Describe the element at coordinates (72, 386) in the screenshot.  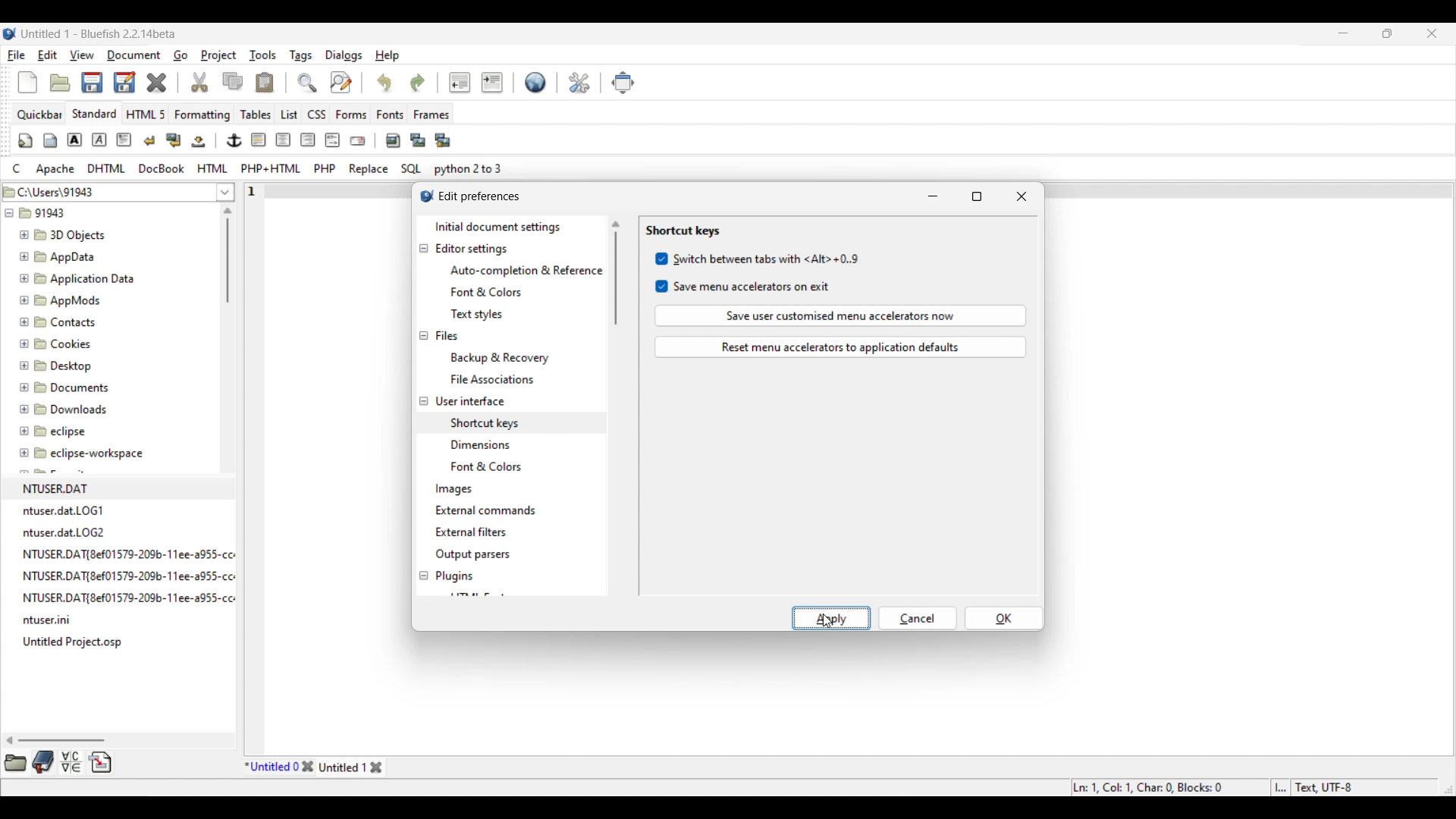
I see `Documents` at that location.